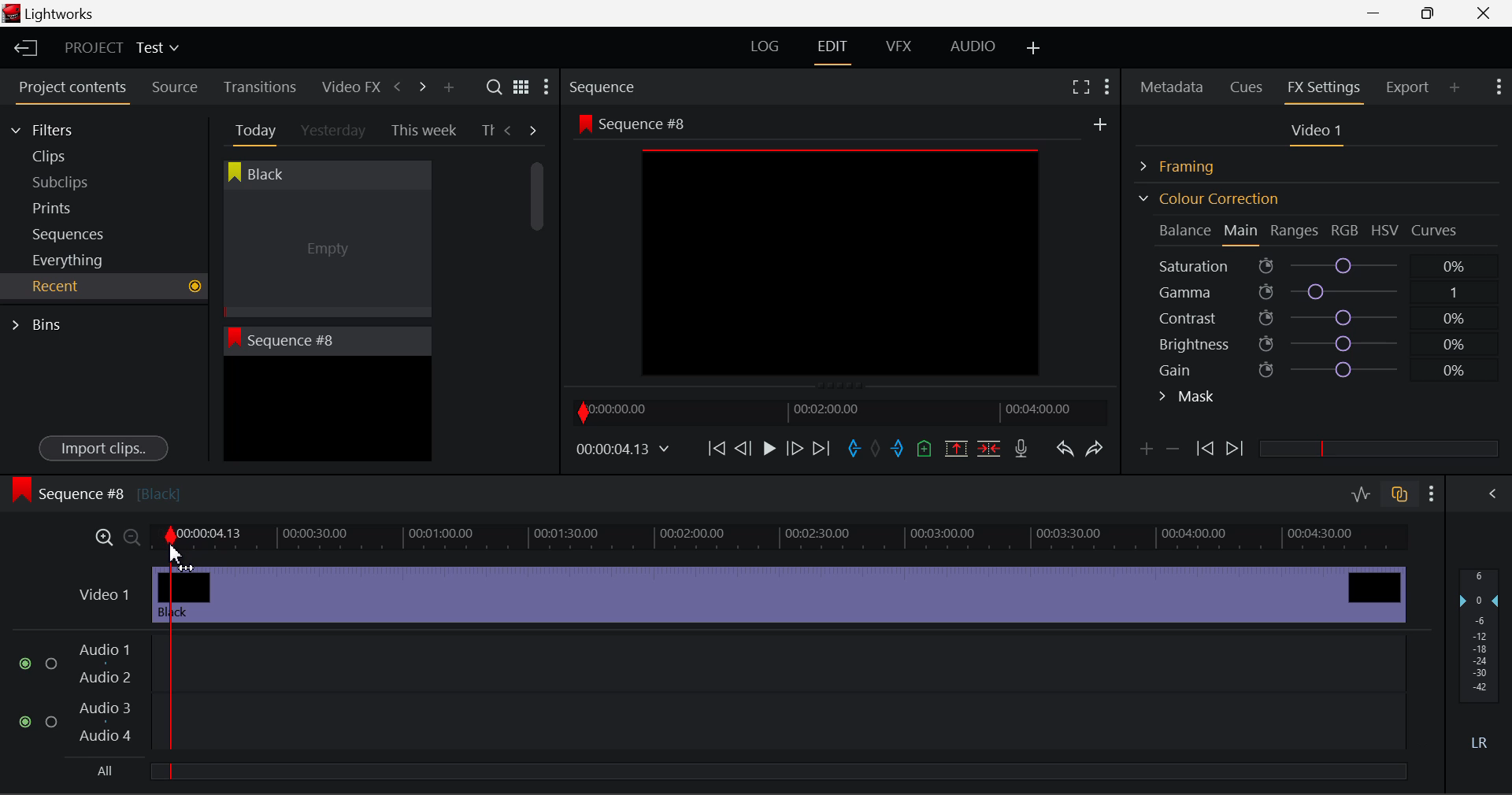  Describe the element at coordinates (1410, 87) in the screenshot. I see `Export Panel` at that location.